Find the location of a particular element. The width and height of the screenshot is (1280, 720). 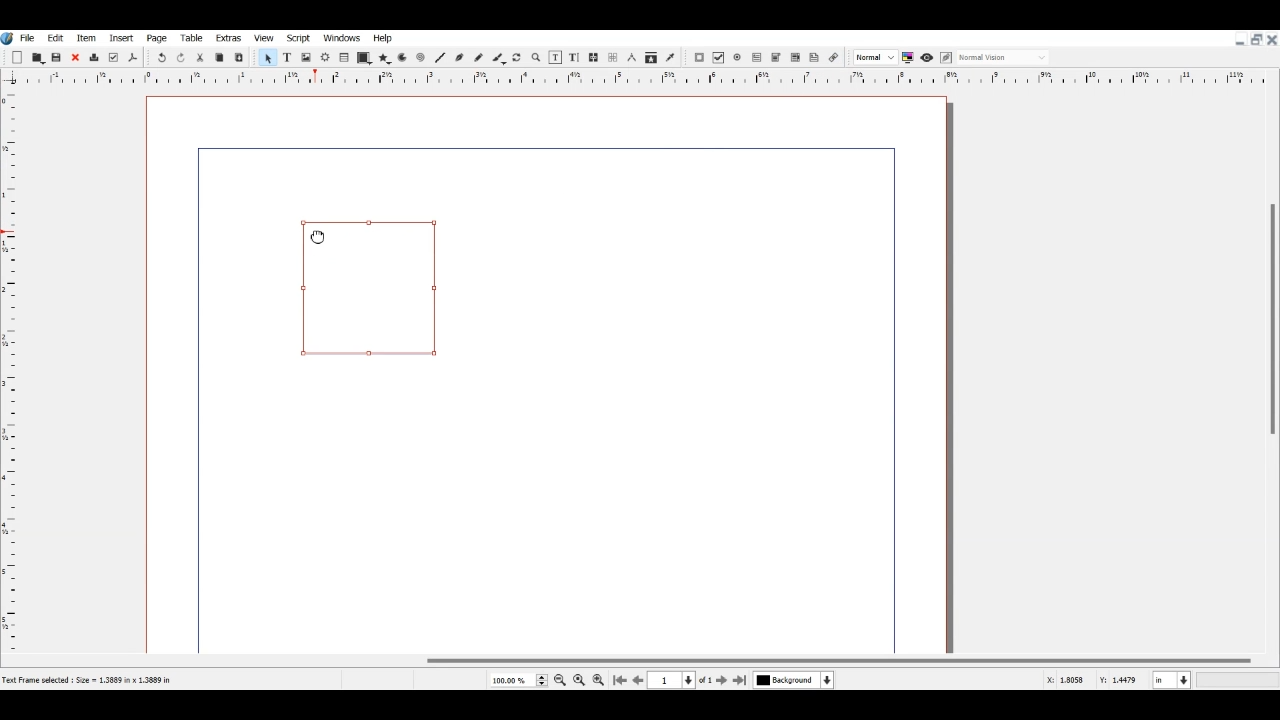

Zoom to 100% is located at coordinates (579, 679).